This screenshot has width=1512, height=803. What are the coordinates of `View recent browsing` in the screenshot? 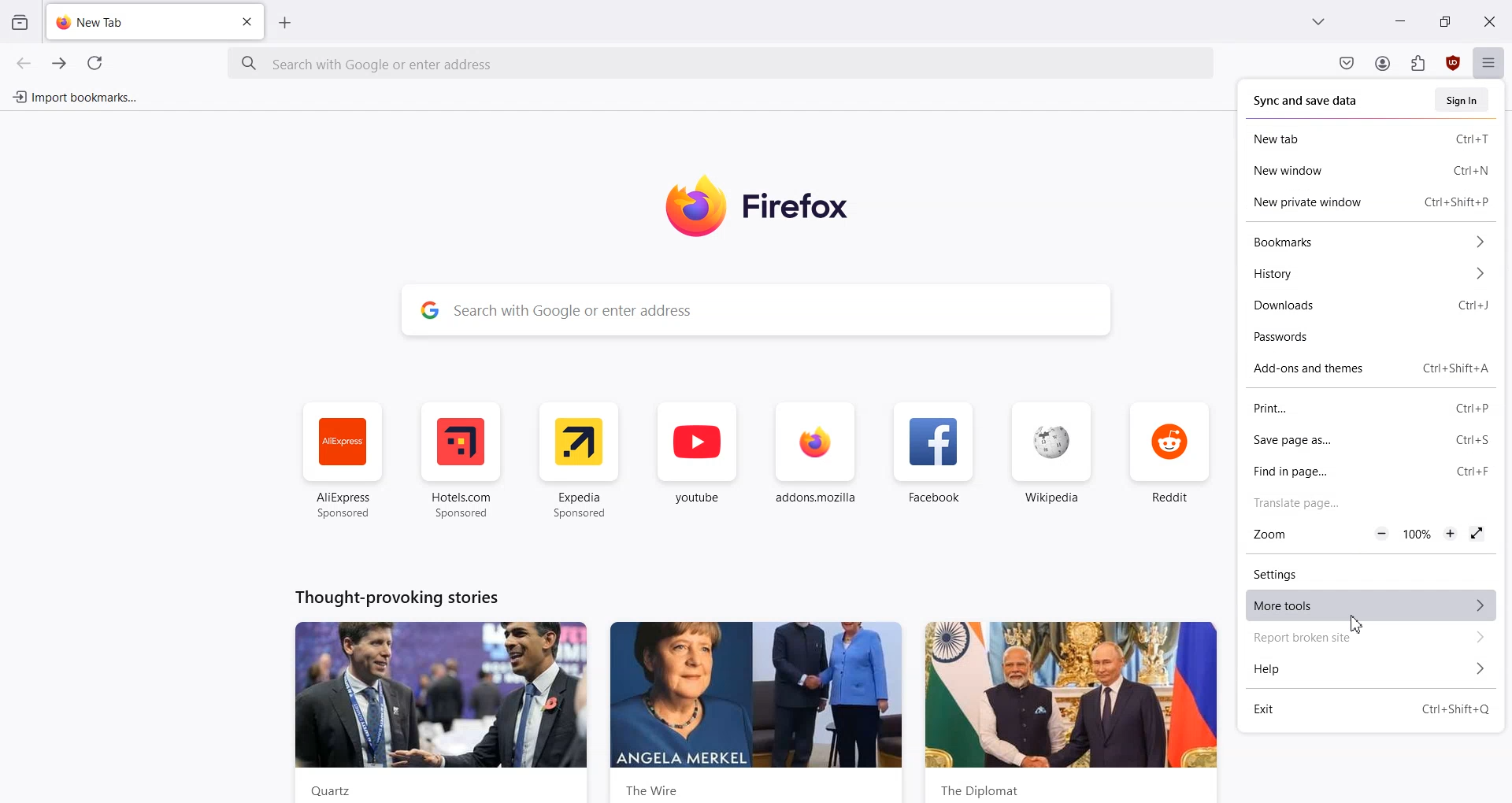 It's located at (19, 20).